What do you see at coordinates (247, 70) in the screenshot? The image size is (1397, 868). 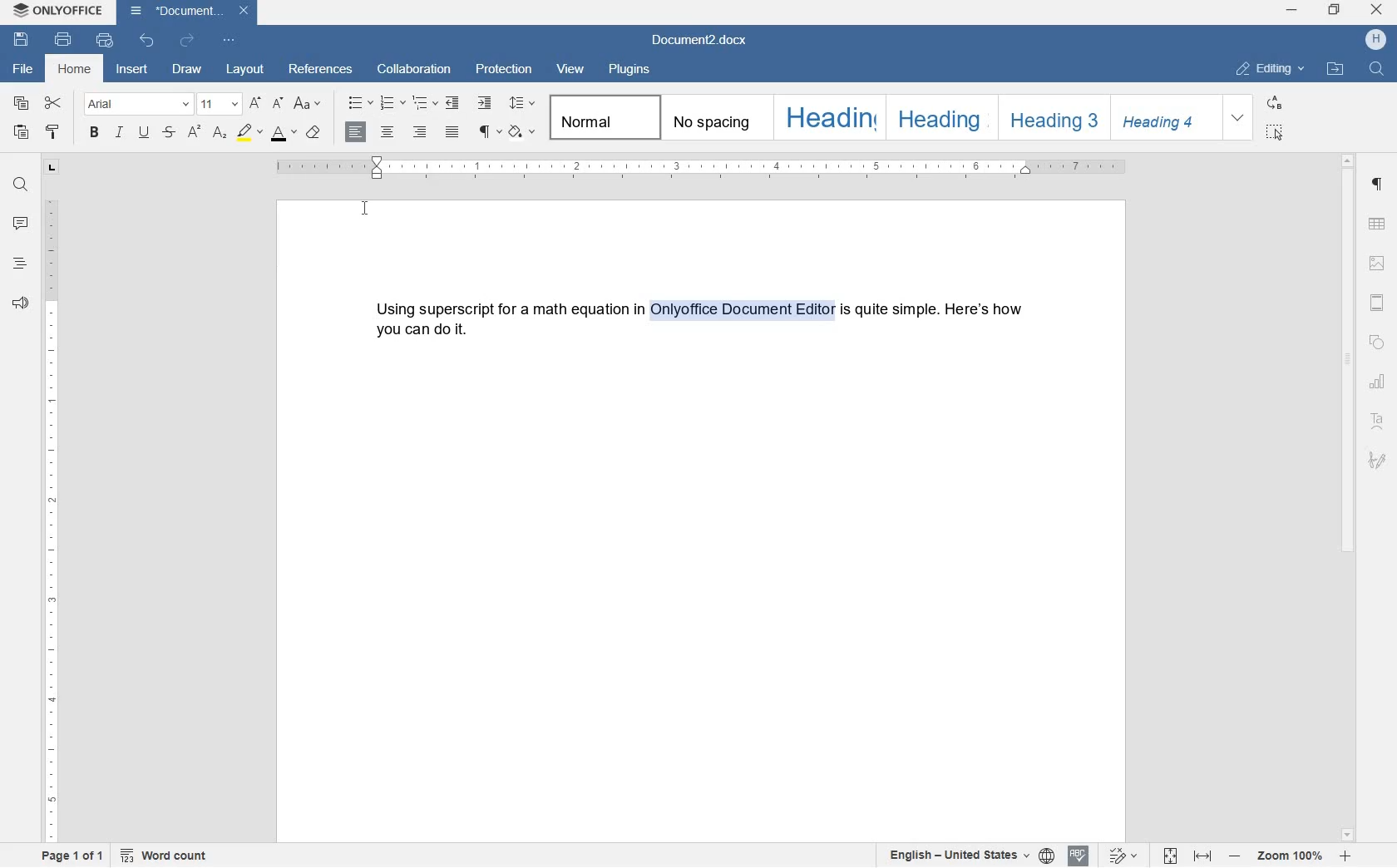 I see `layout` at bounding box center [247, 70].